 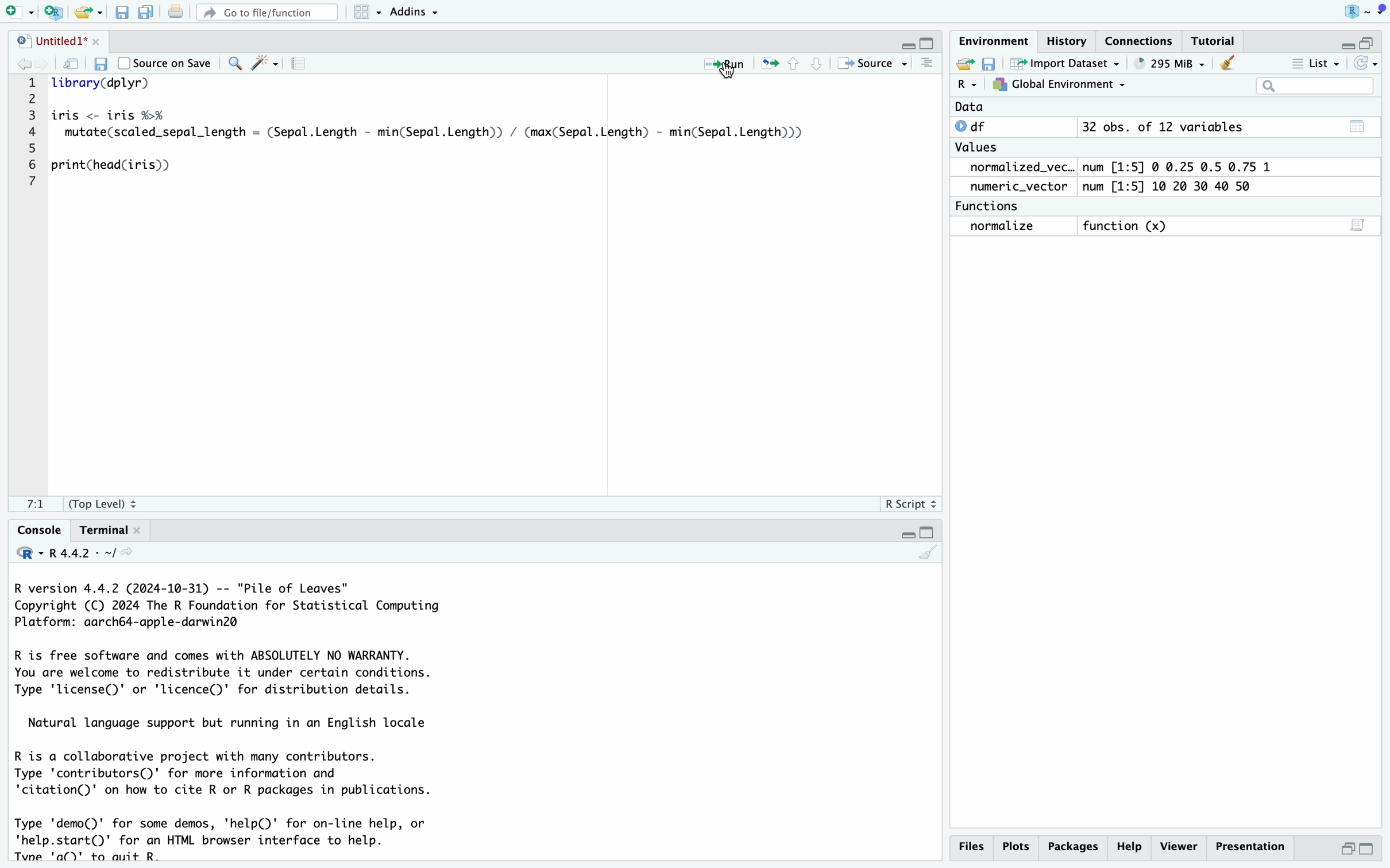 What do you see at coordinates (1360, 41) in the screenshot?
I see `Fullscreen` at bounding box center [1360, 41].